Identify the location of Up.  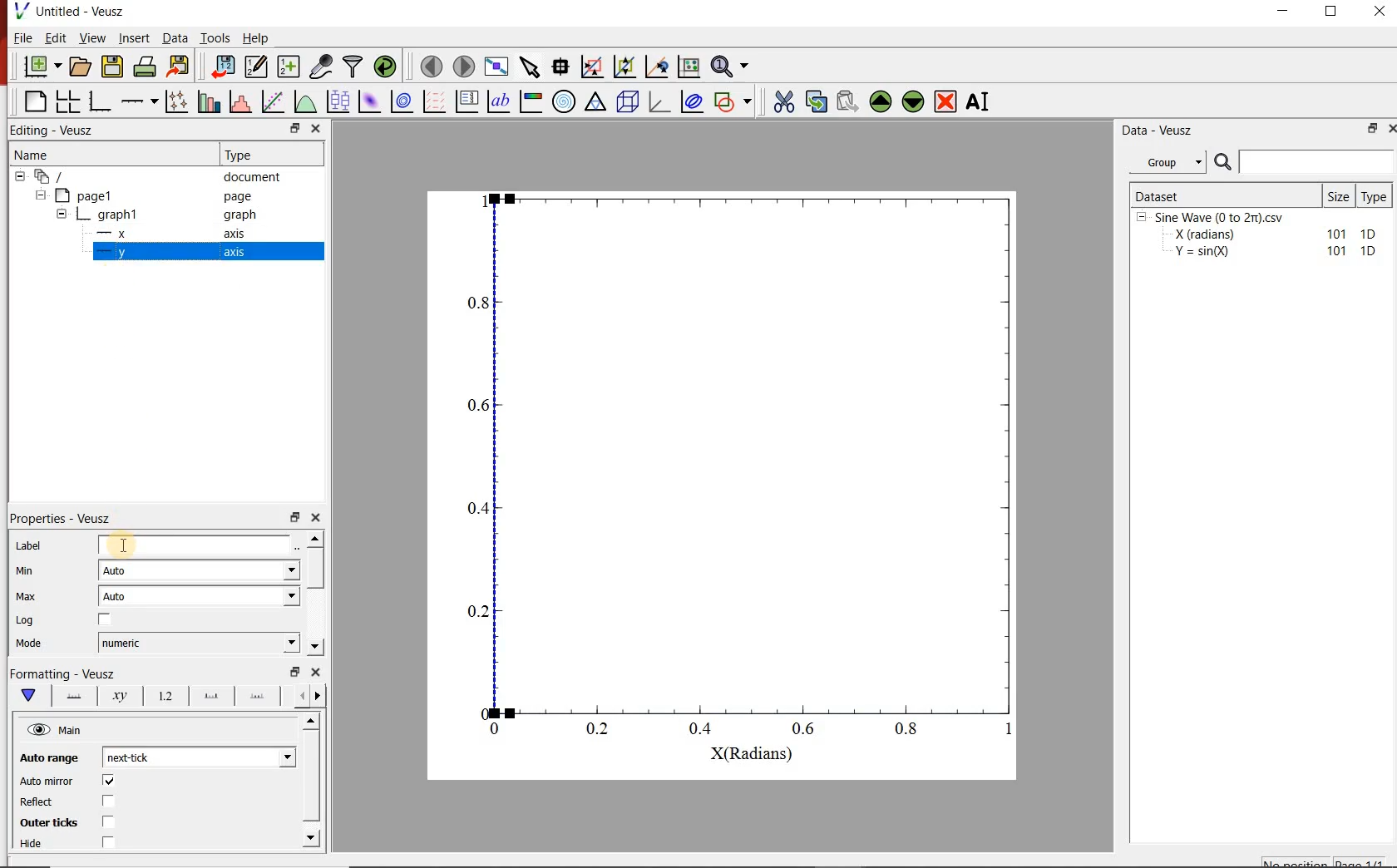
(315, 538).